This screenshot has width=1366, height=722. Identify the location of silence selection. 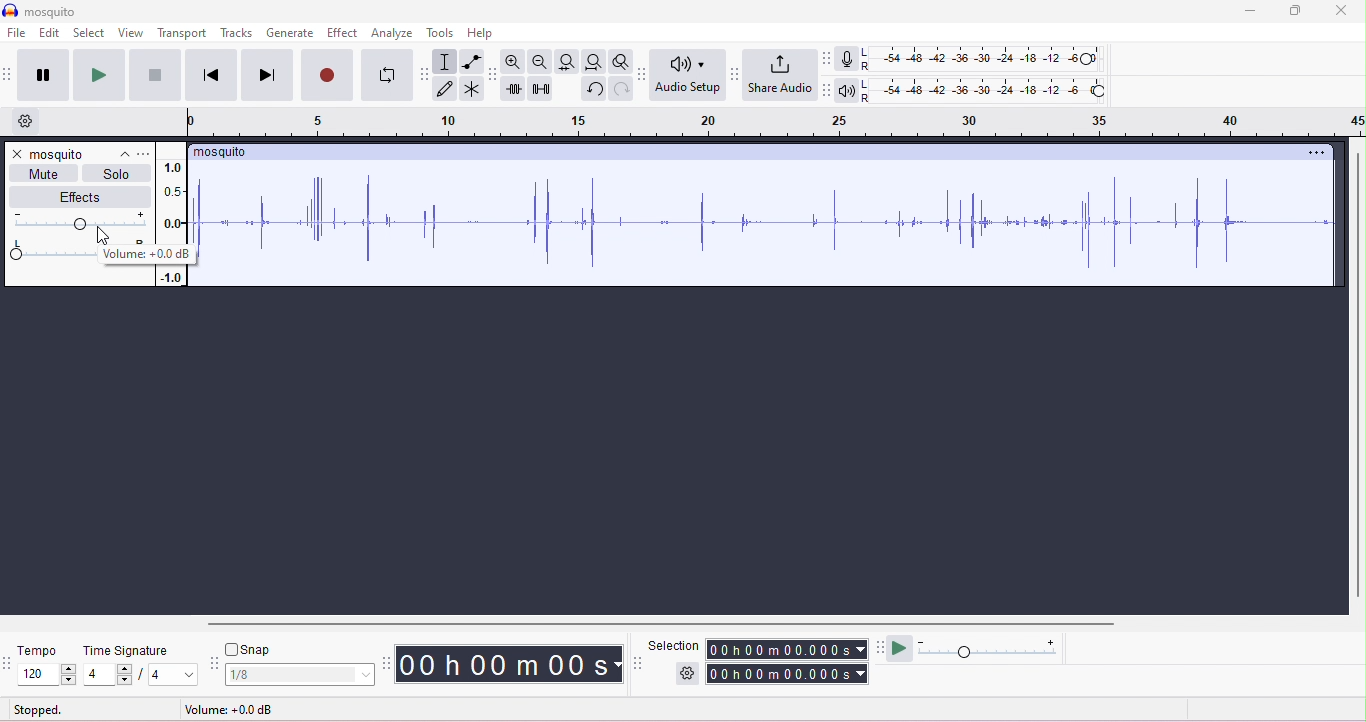
(541, 90).